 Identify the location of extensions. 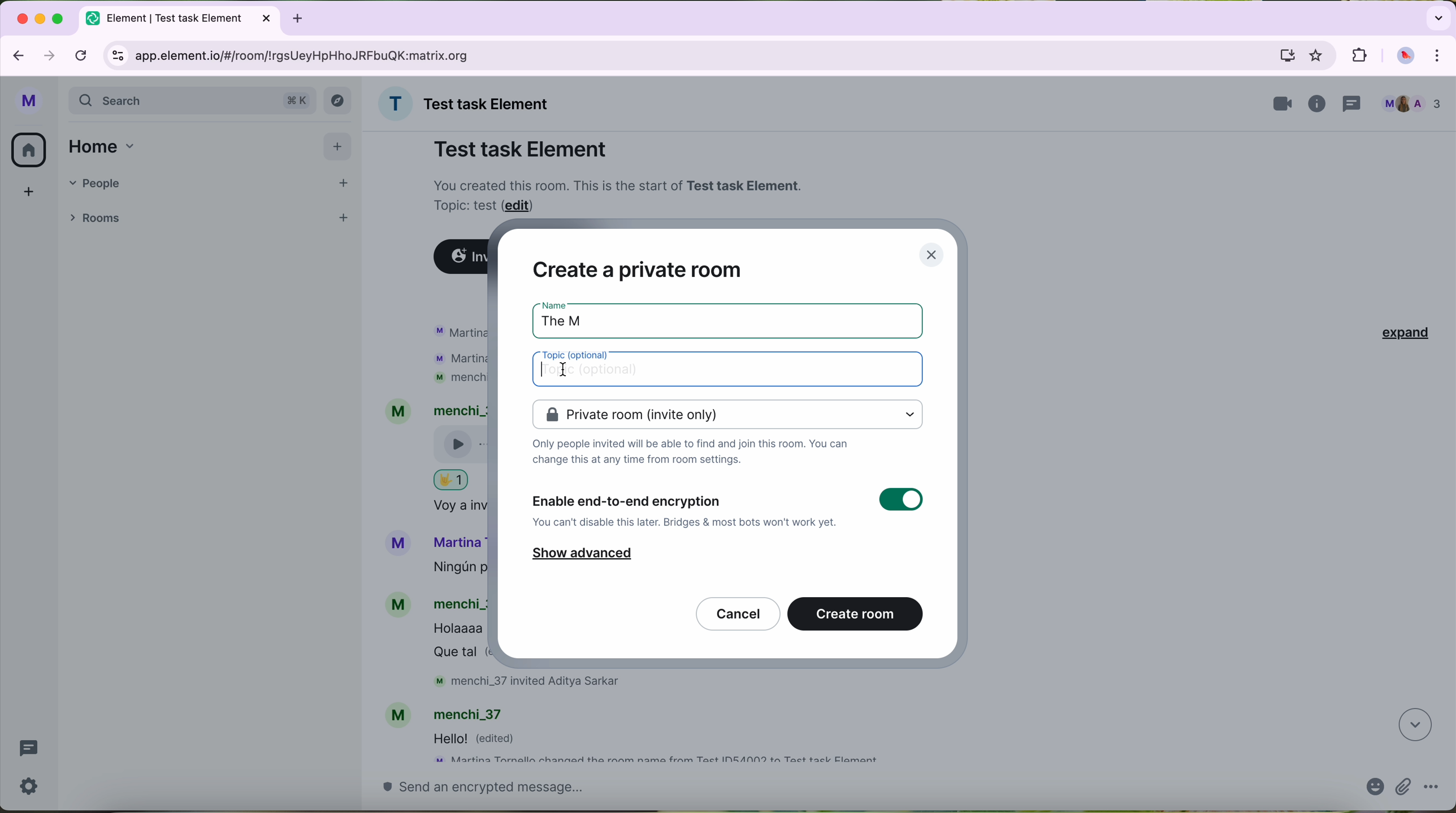
(1358, 54).